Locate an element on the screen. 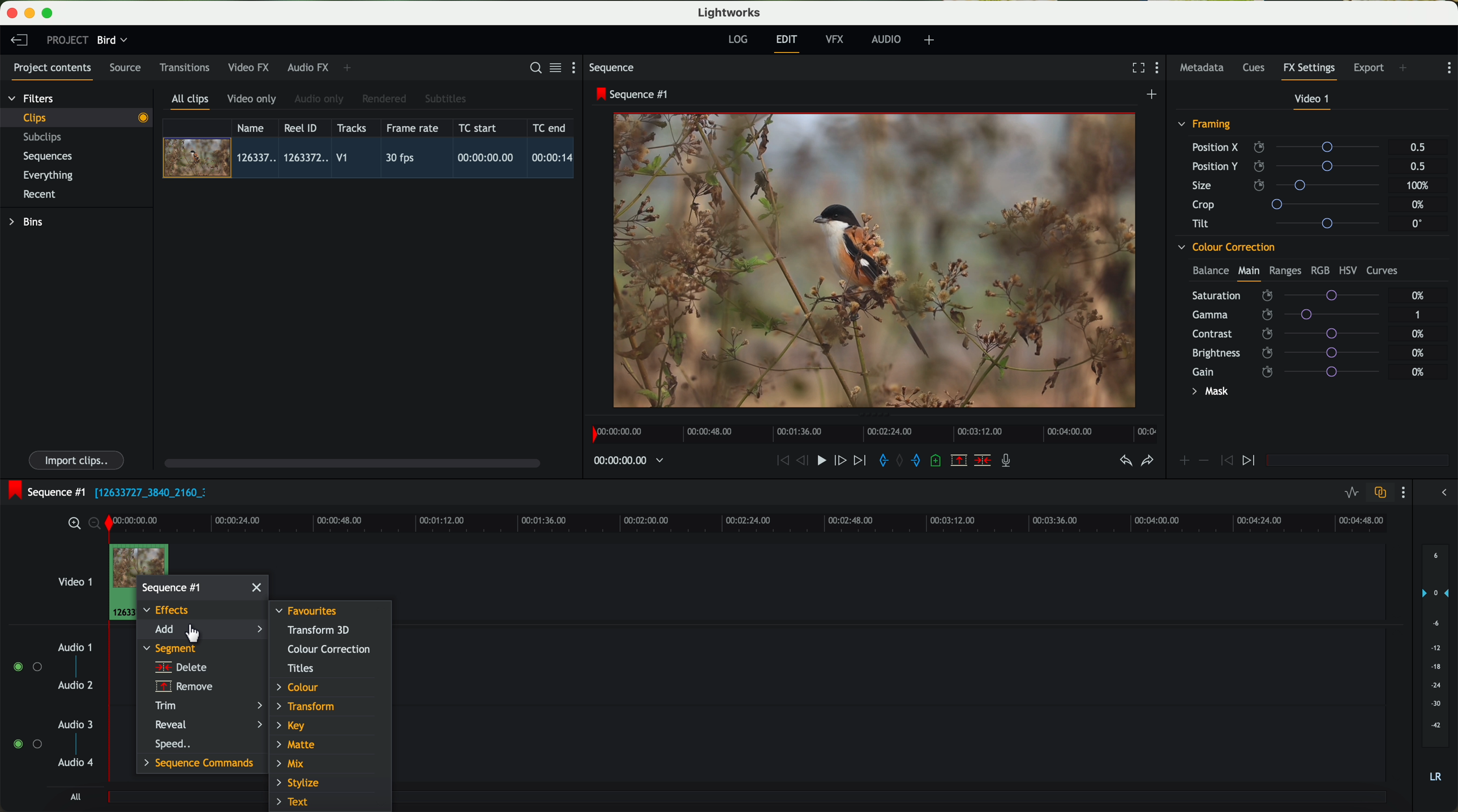  metadata is located at coordinates (1204, 68).